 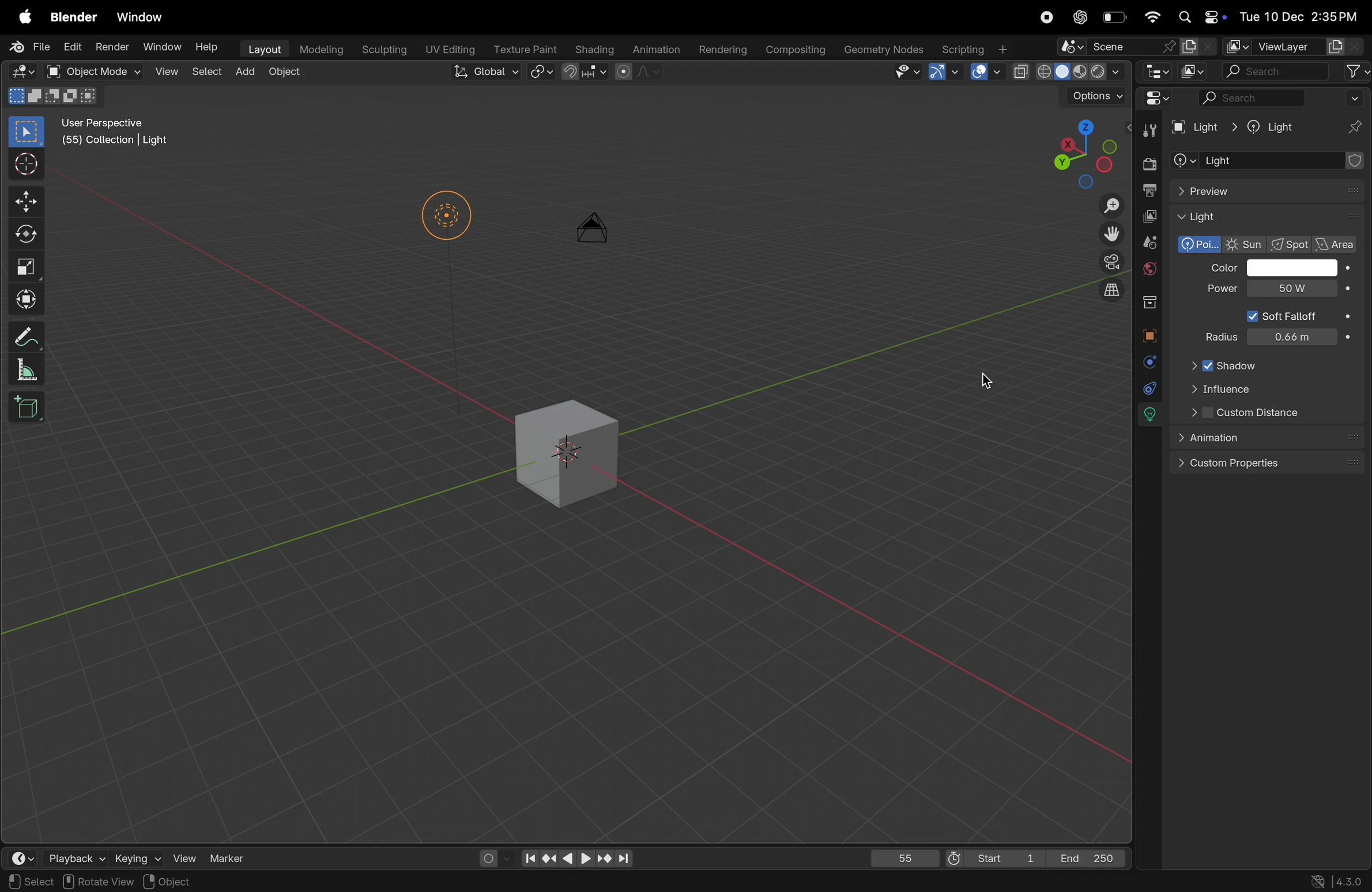 What do you see at coordinates (1151, 244) in the screenshot?
I see `scene` at bounding box center [1151, 244].